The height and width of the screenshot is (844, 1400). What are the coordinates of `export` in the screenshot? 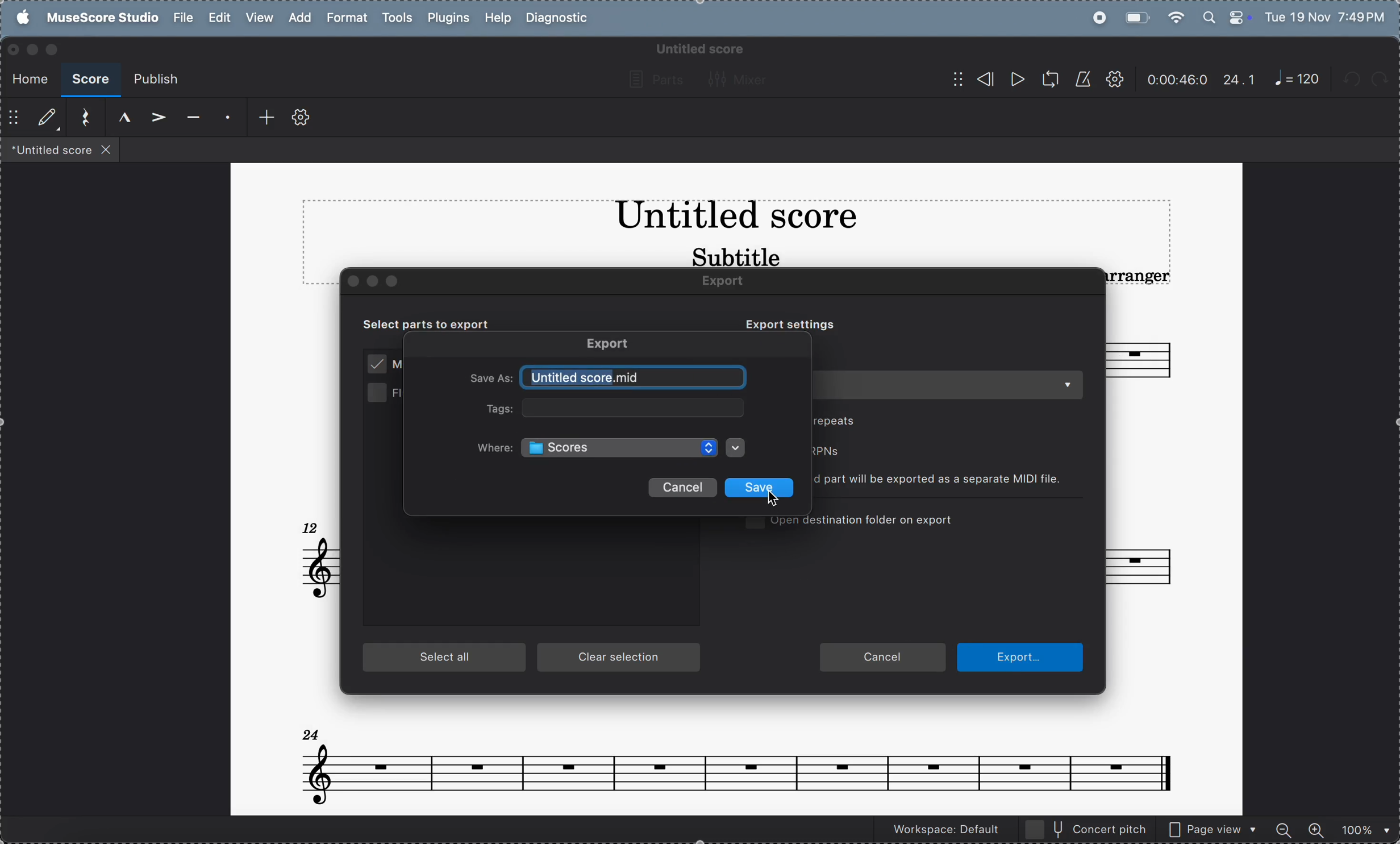 It's located at (1025, 657).